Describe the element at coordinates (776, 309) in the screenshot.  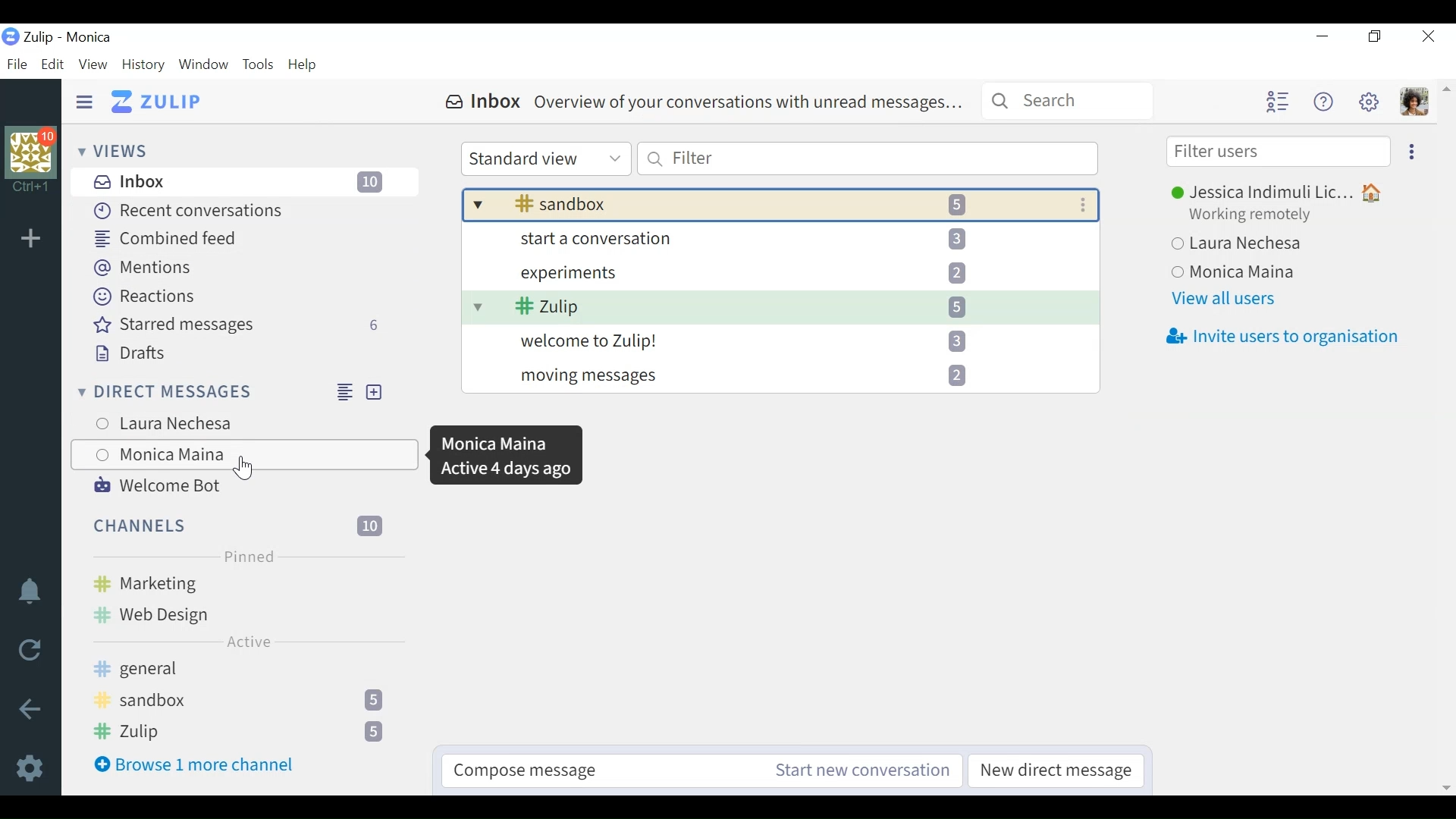
I see `Zulip` at that location.